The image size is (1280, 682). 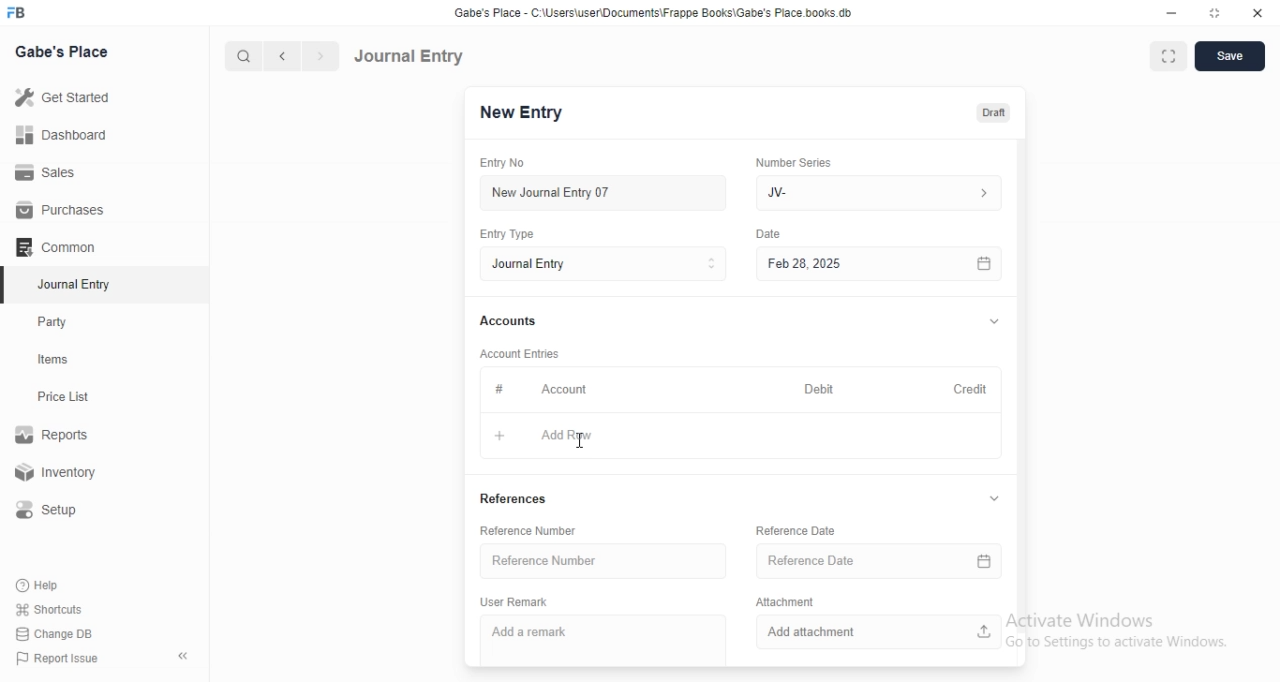 I want to click on ‘Number Series, so click(x=792, y=162).